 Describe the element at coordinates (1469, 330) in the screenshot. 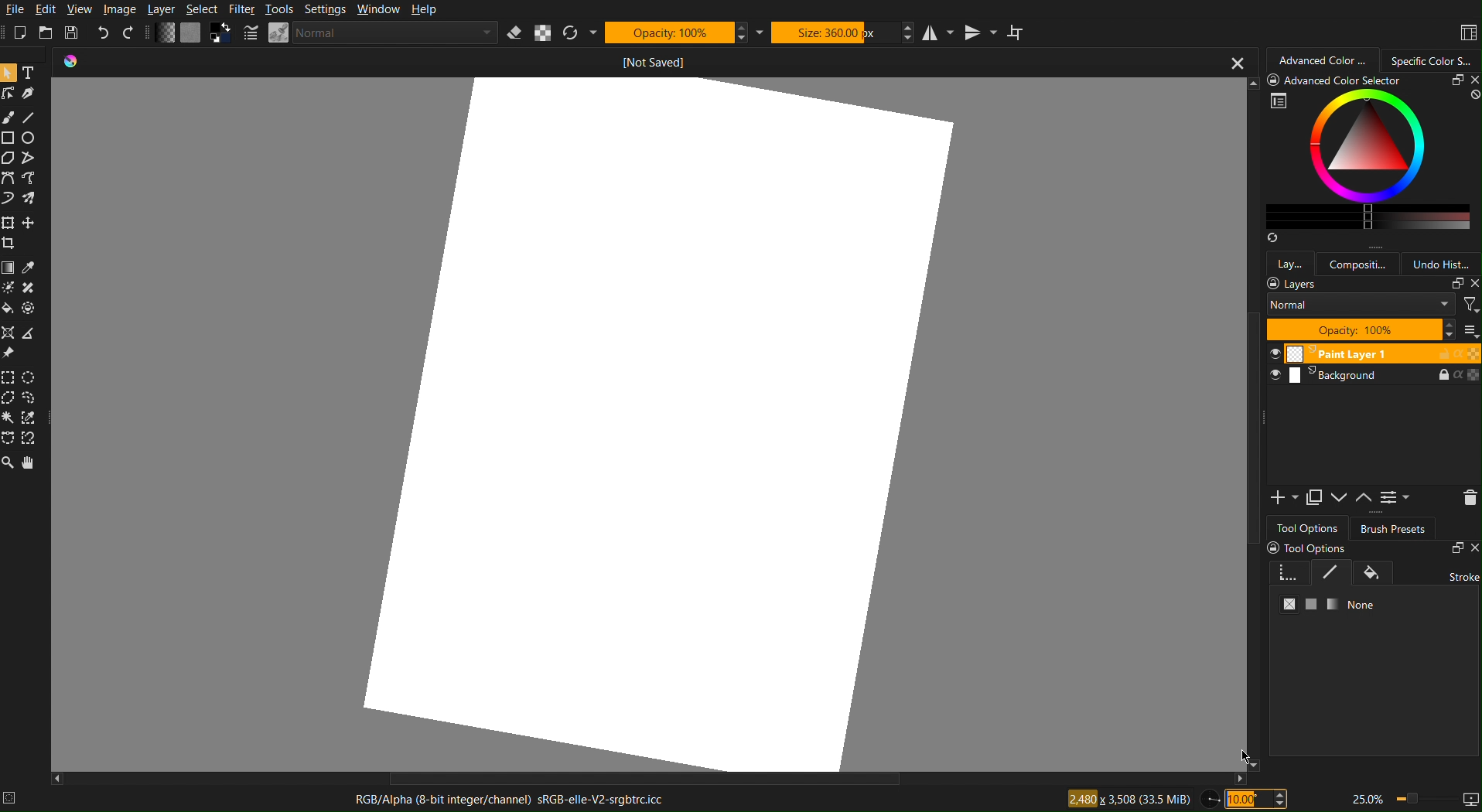

I see `thumbnail` at that location.